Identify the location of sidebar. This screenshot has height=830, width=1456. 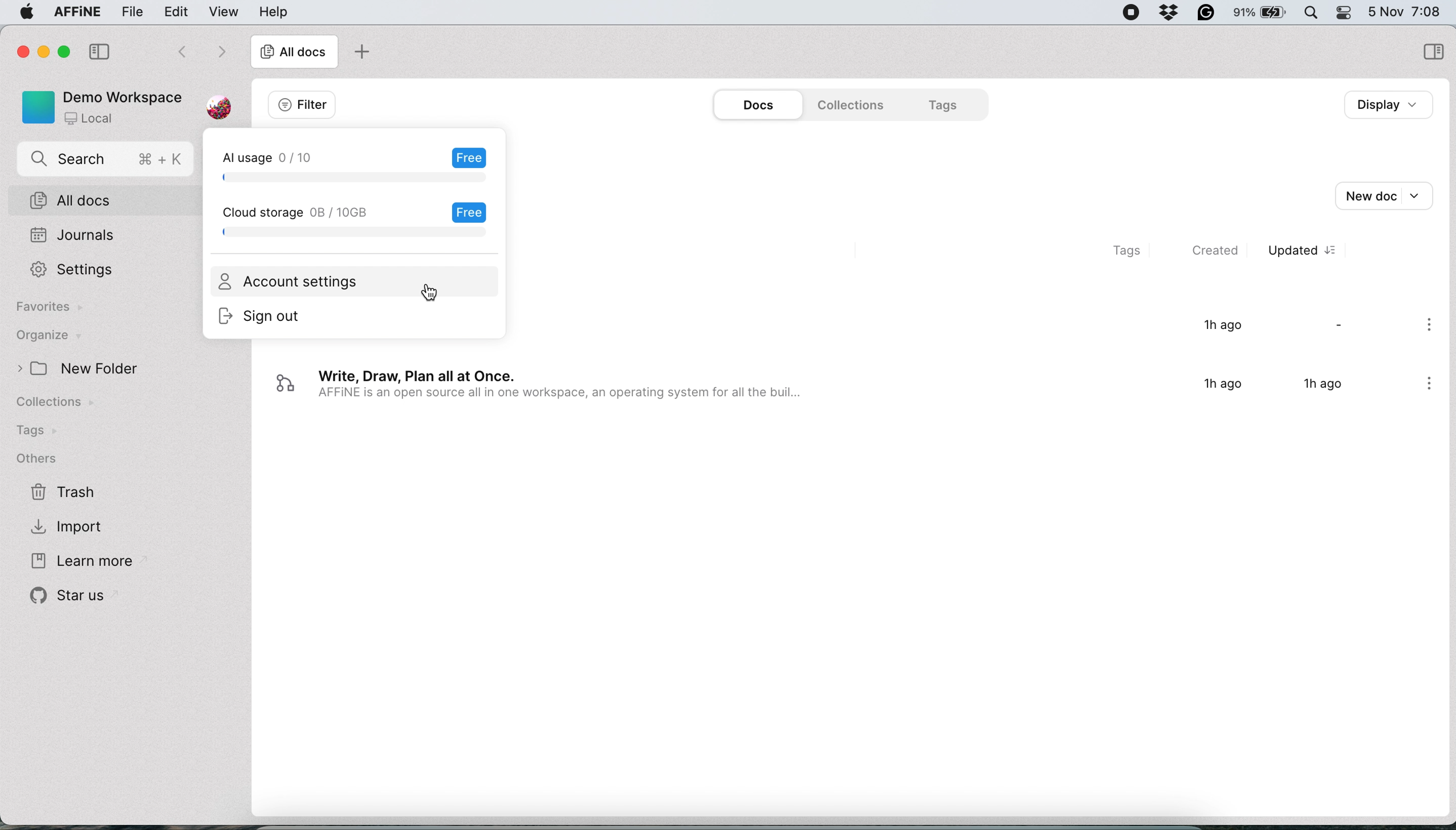
(1431, 50).